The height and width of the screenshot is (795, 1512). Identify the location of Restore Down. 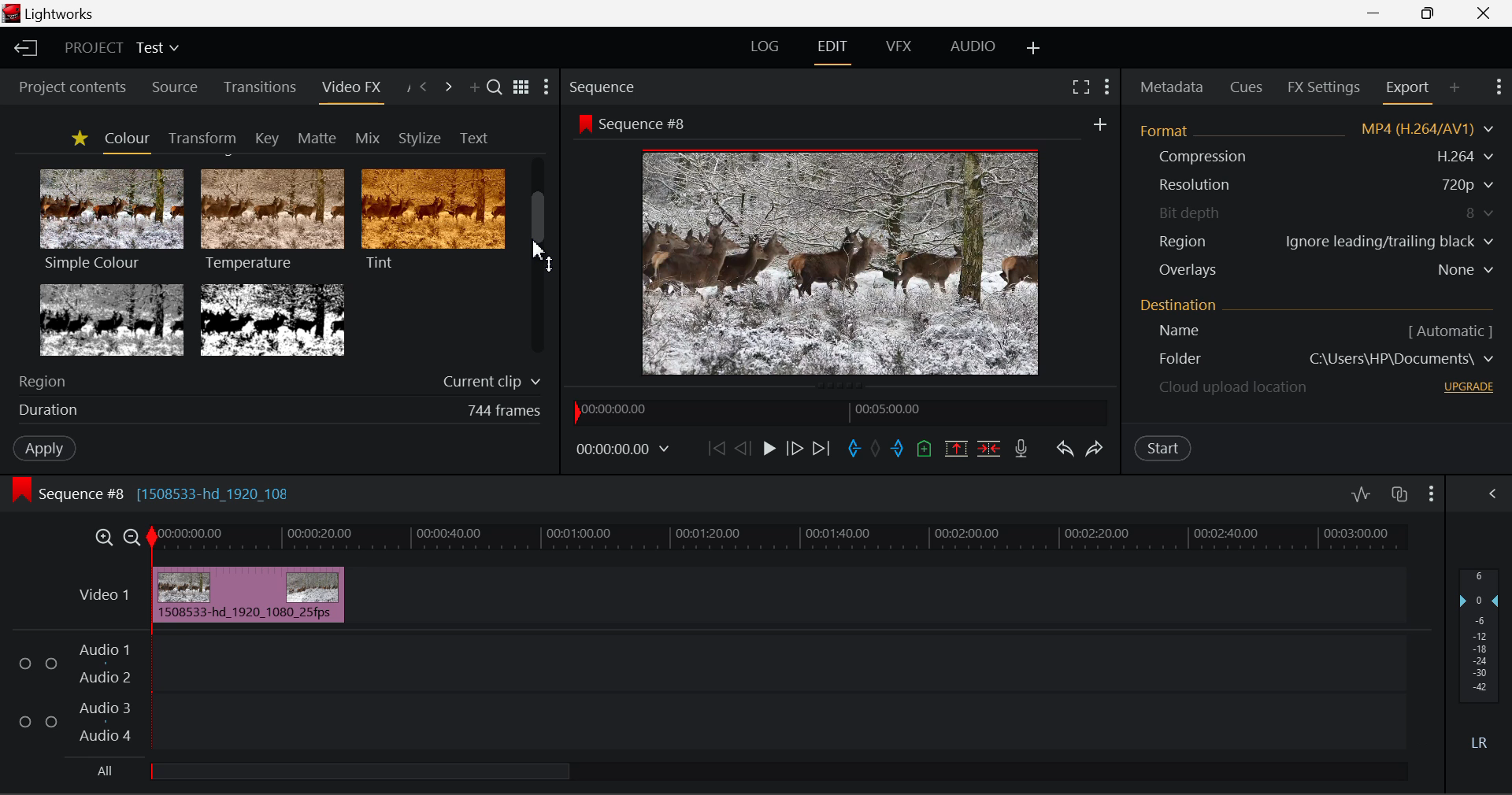
(1374, 12).